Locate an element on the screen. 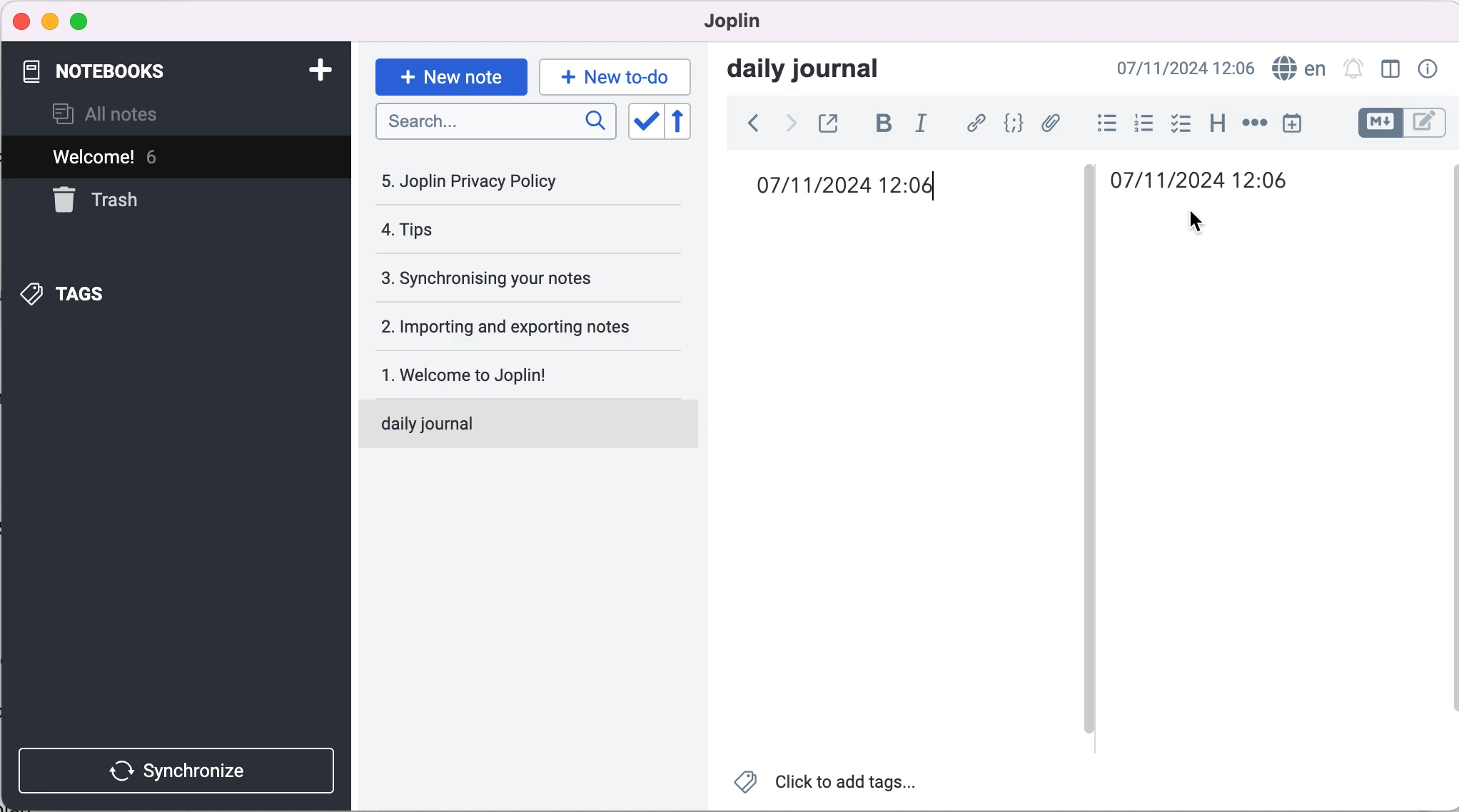 The image size is (1459, 812). daily journal is located at coordinates (817, 71).